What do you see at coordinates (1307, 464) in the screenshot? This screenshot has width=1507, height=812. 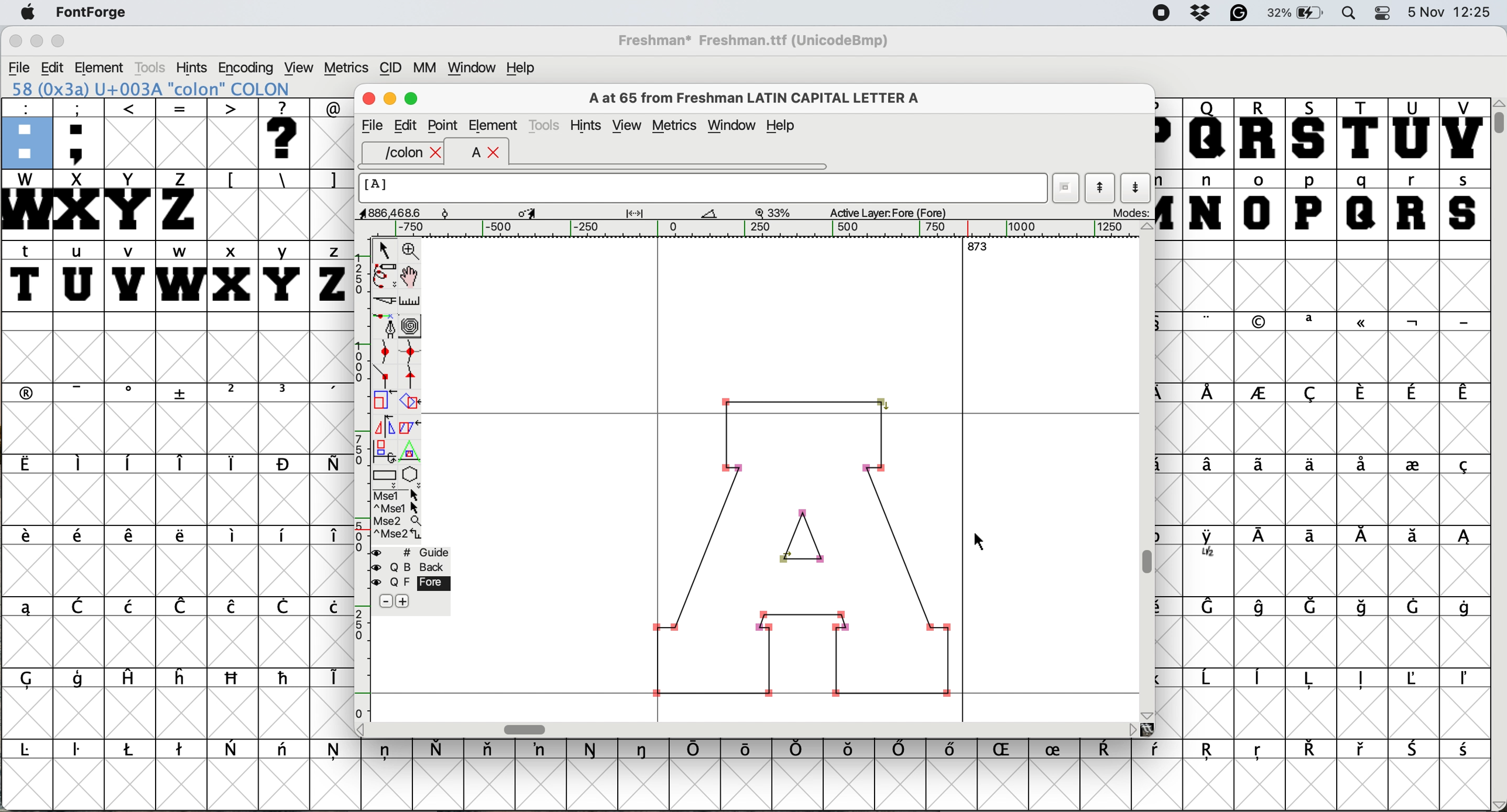 I see `symbol` at bounding box center [1307, 464].